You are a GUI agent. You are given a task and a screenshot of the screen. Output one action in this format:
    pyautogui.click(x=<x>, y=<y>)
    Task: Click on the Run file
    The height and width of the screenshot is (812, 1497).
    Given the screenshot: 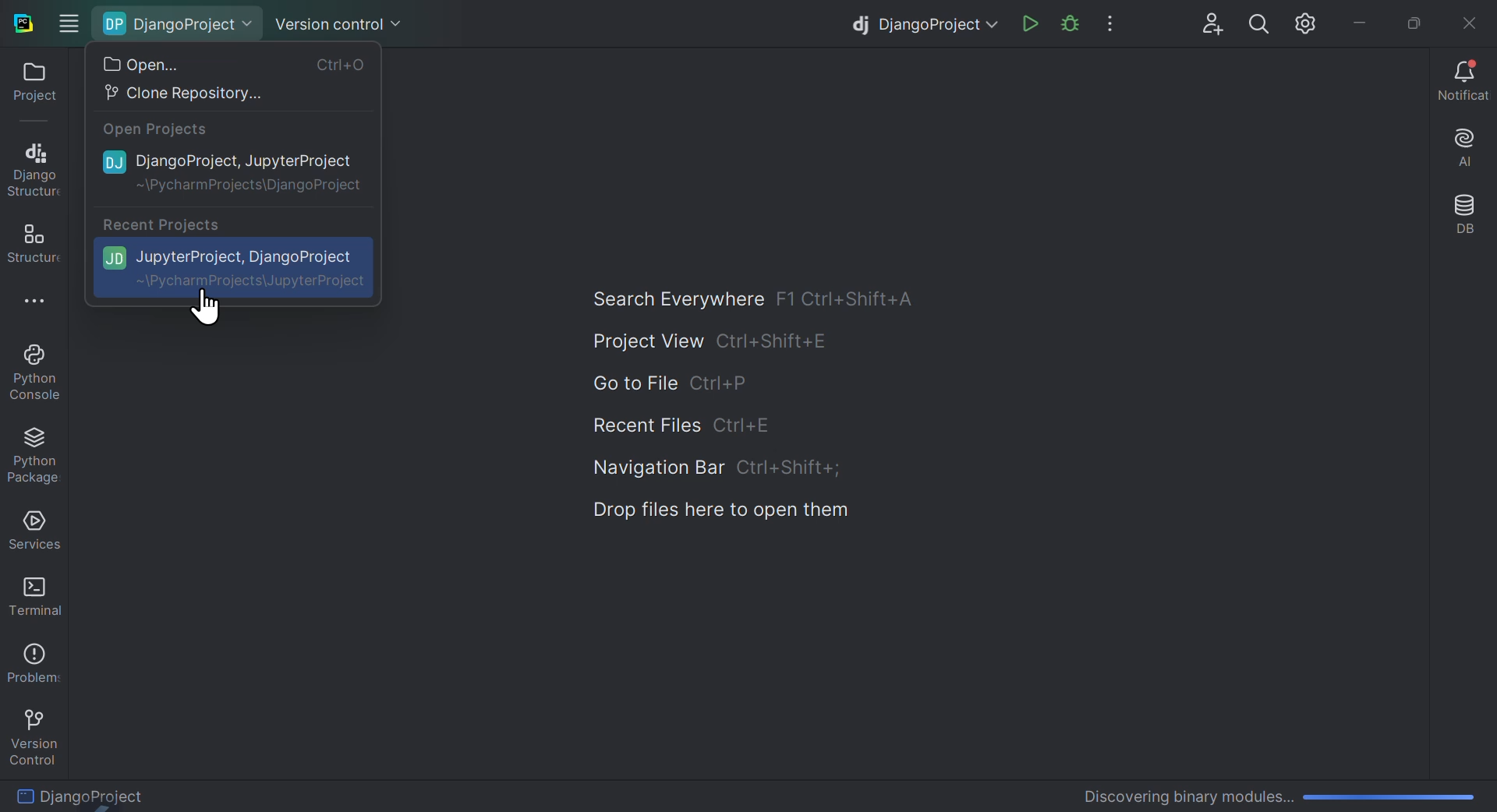 What is the action you would take?
    pyautogui.click(x=1031, y=25)
    